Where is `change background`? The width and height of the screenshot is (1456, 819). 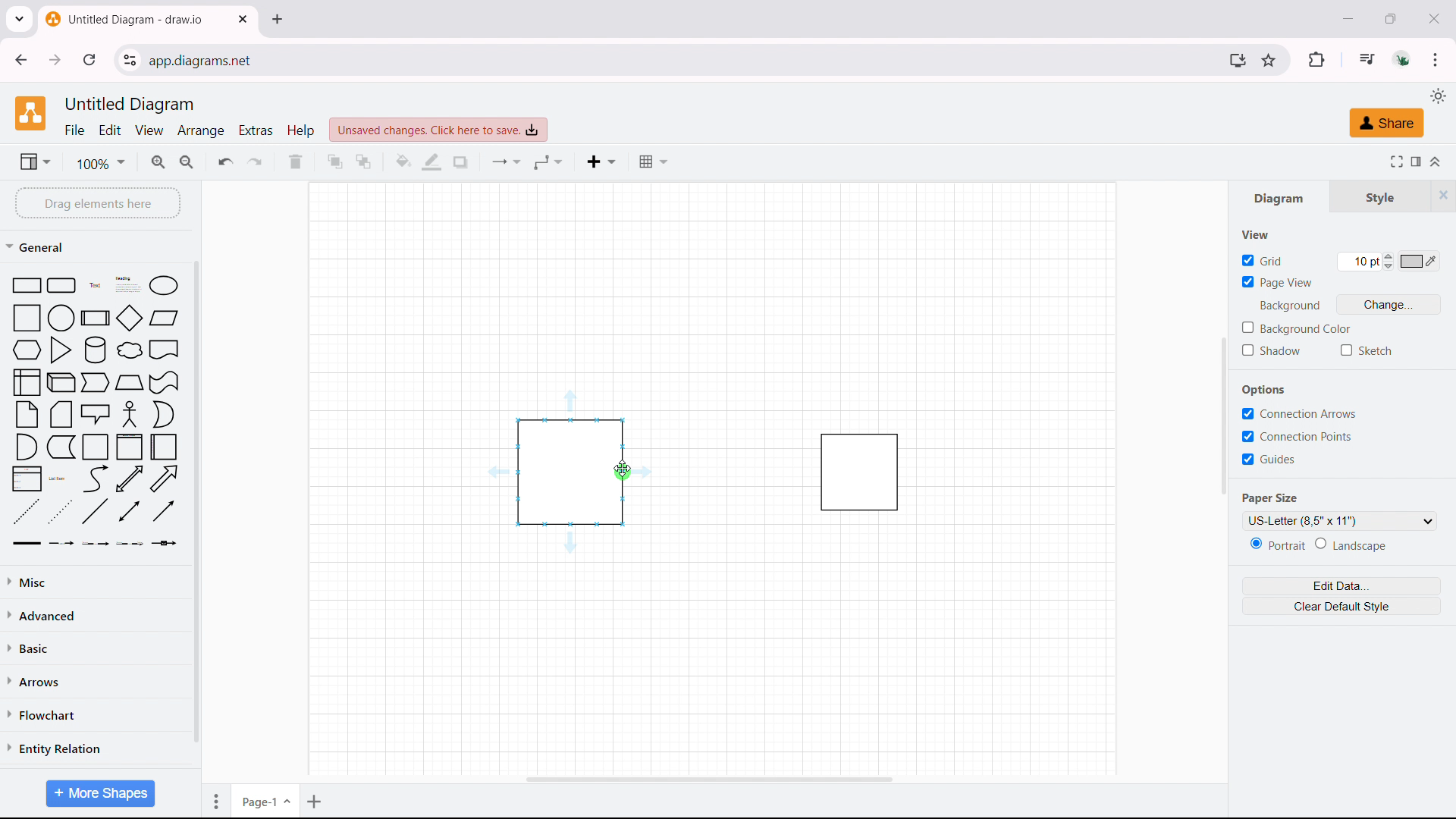 change background is located at coordinates (1390, 303).